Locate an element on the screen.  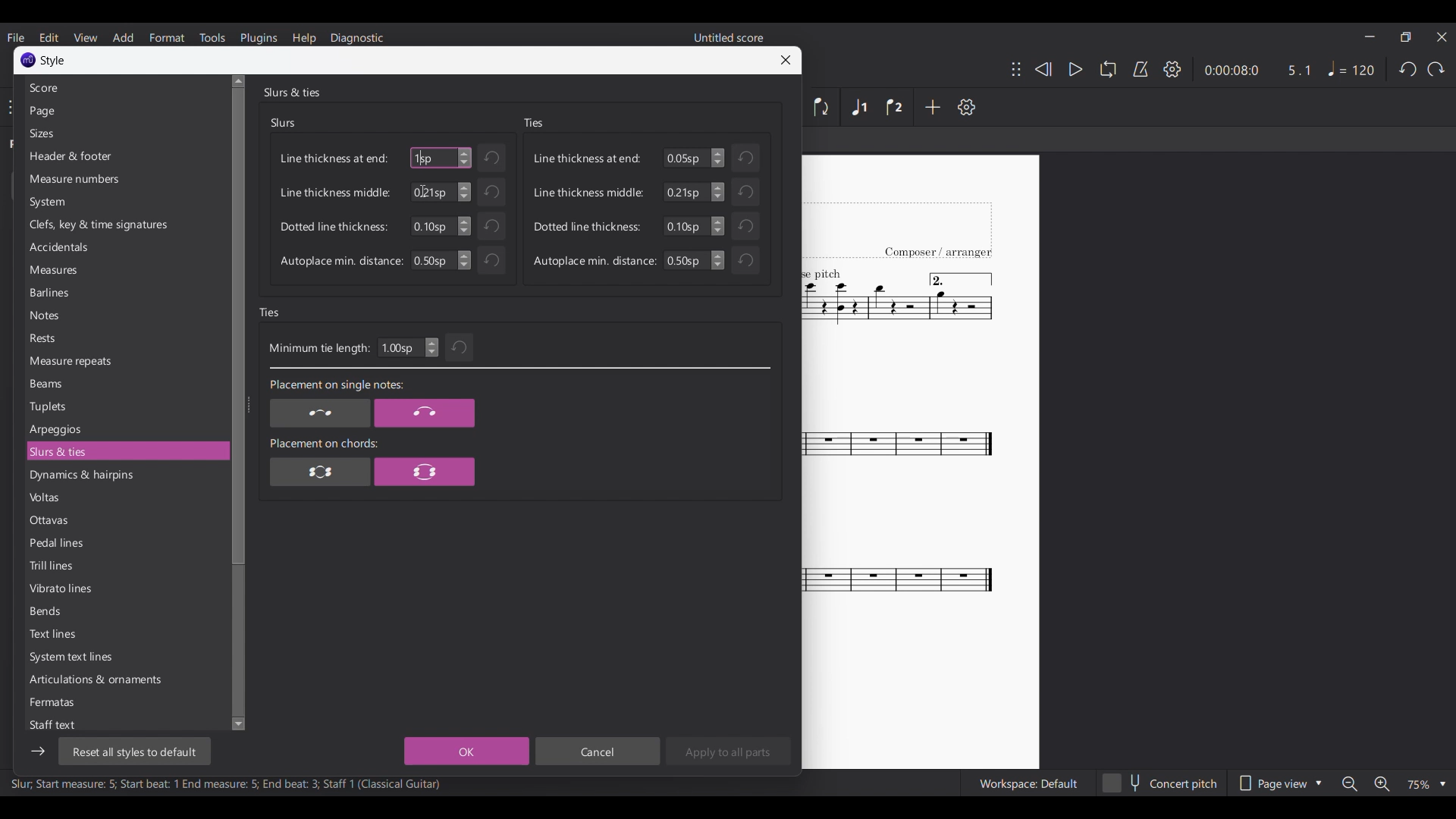
Plugins menu is located at coordinates (259, 37).